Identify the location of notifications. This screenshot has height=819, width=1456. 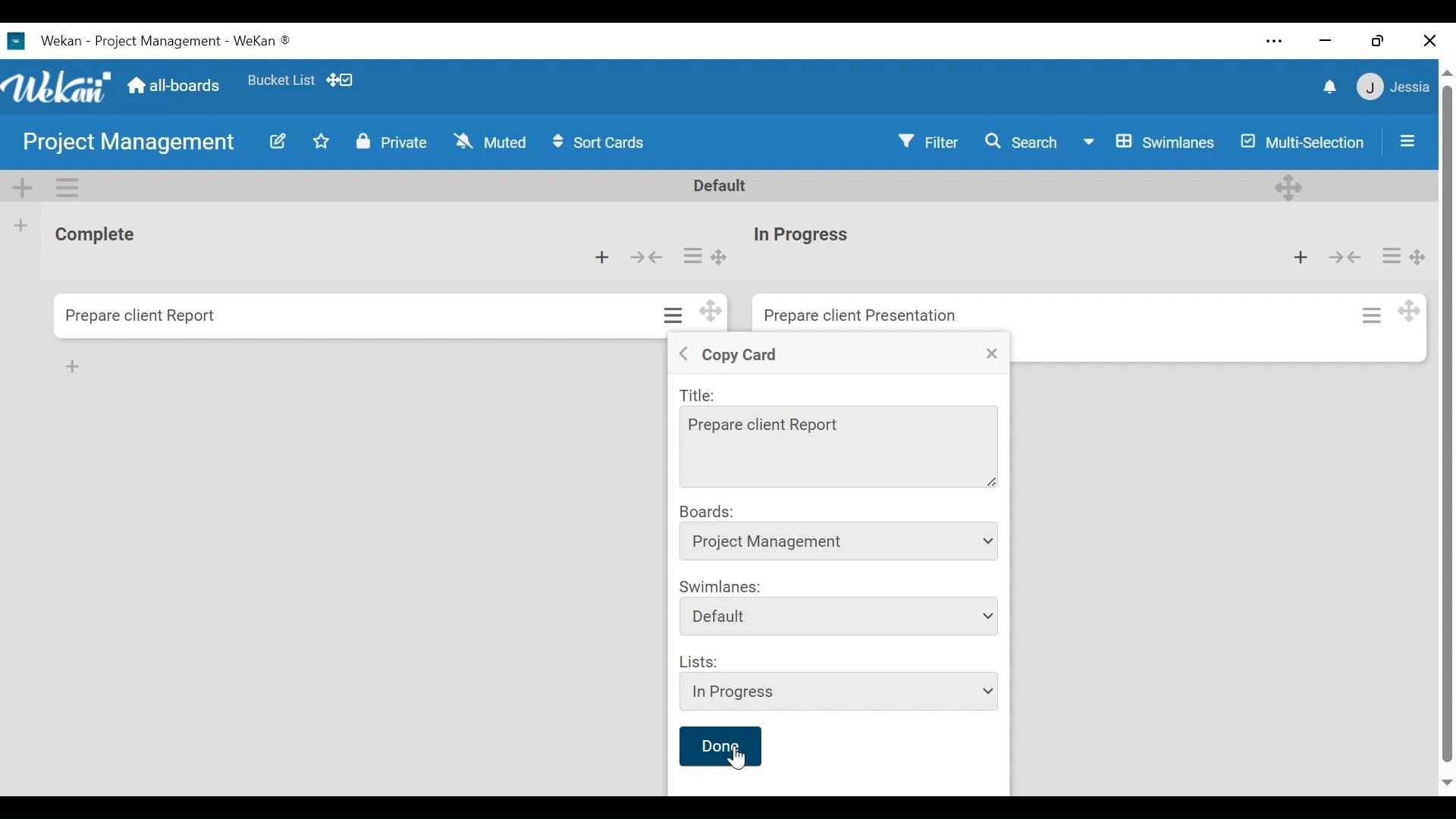
(1335, 86).